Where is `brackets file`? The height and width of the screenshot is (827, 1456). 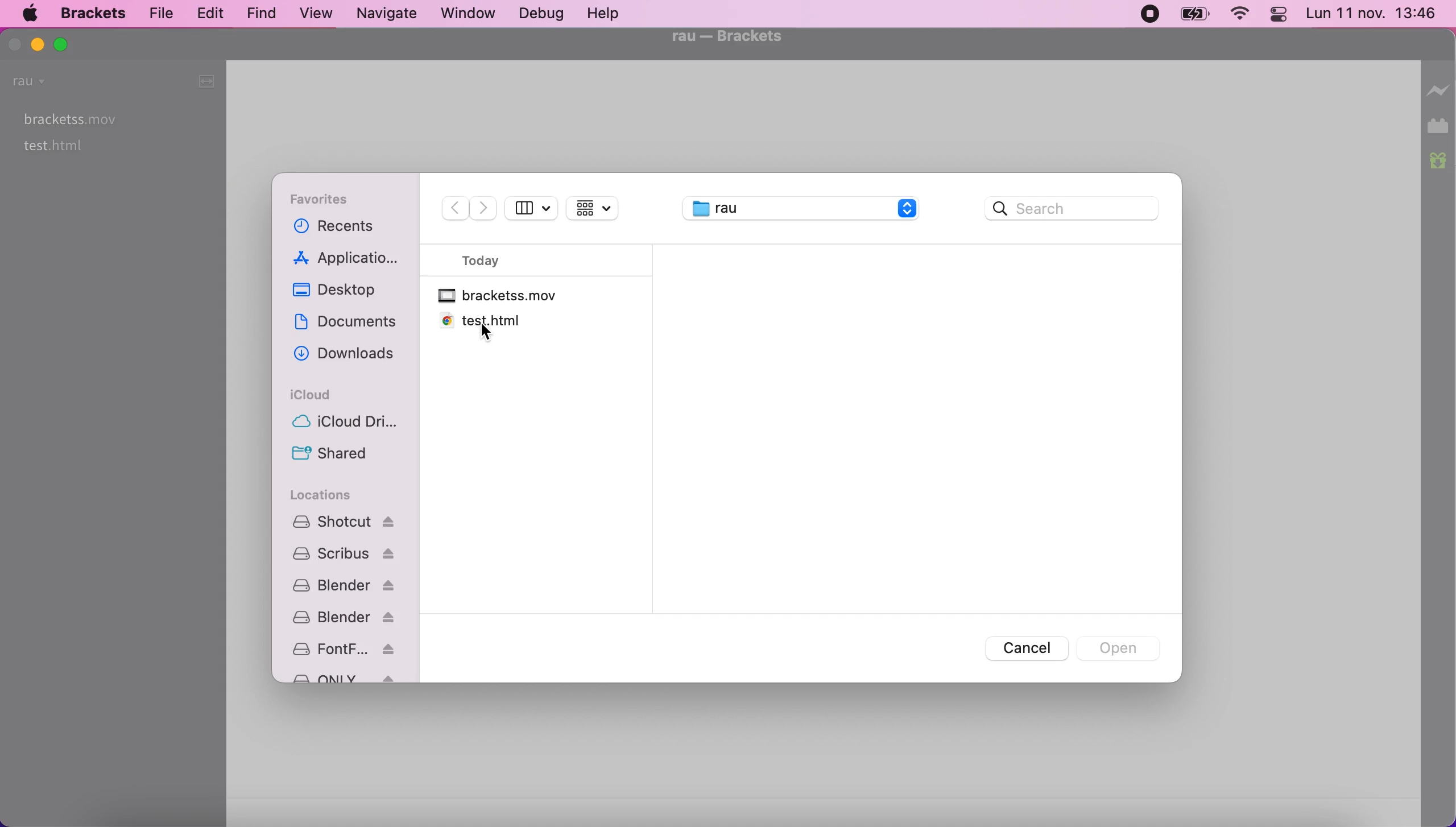 brackets file is located at coordinates (504, 297).